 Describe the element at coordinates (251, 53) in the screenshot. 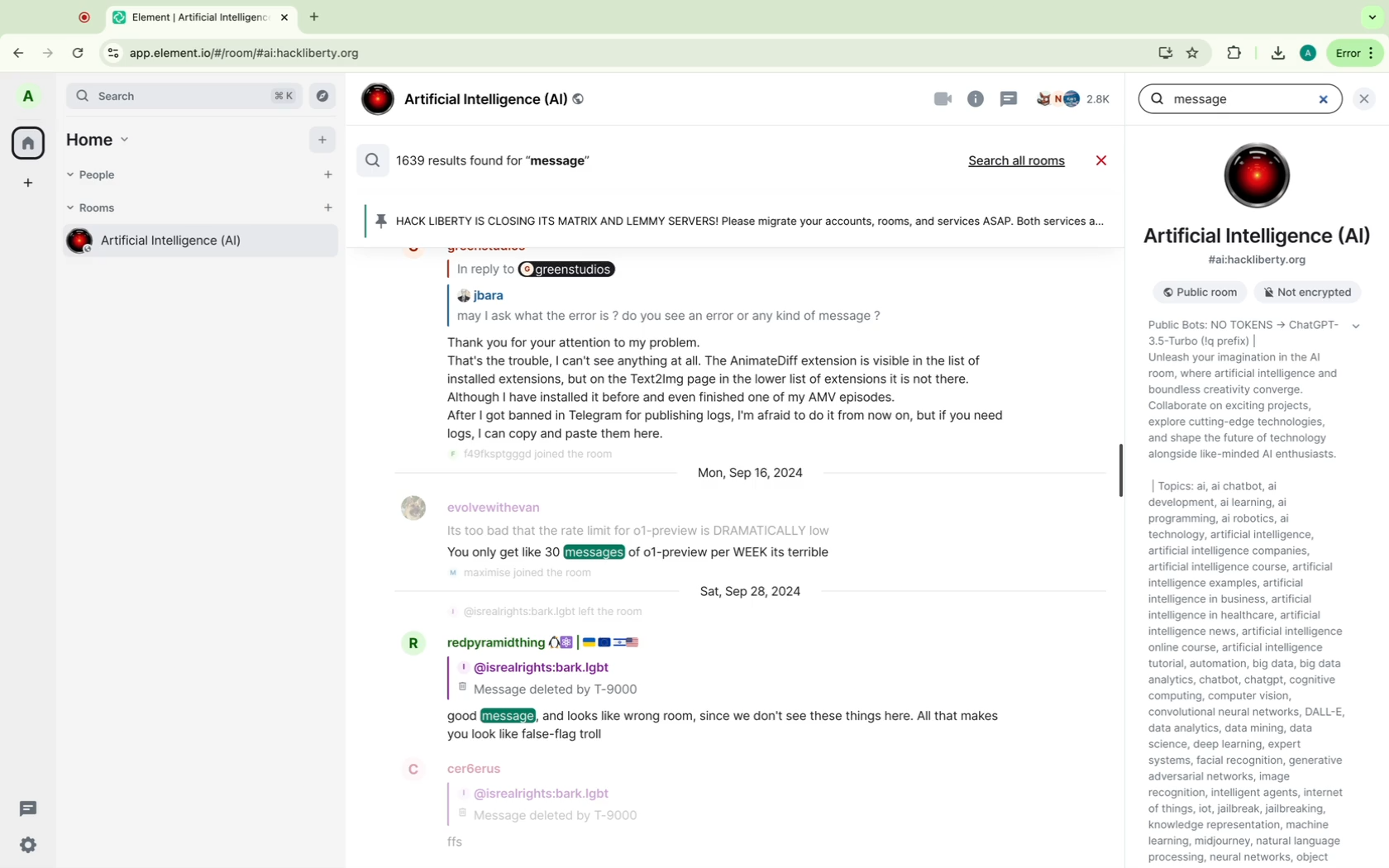

I see `url` at that location.